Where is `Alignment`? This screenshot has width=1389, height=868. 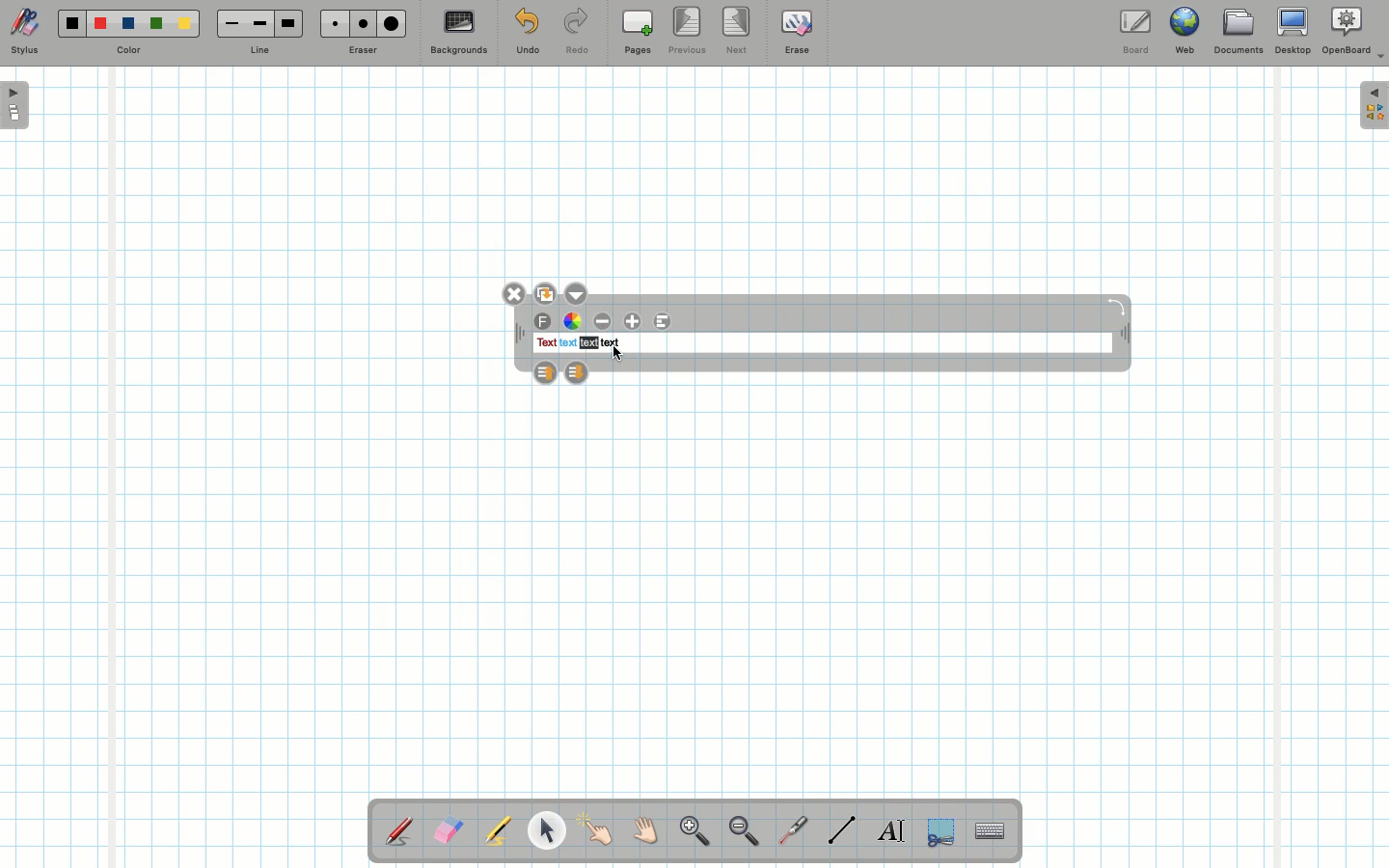
Alignment is located at coordinates (666, 322).